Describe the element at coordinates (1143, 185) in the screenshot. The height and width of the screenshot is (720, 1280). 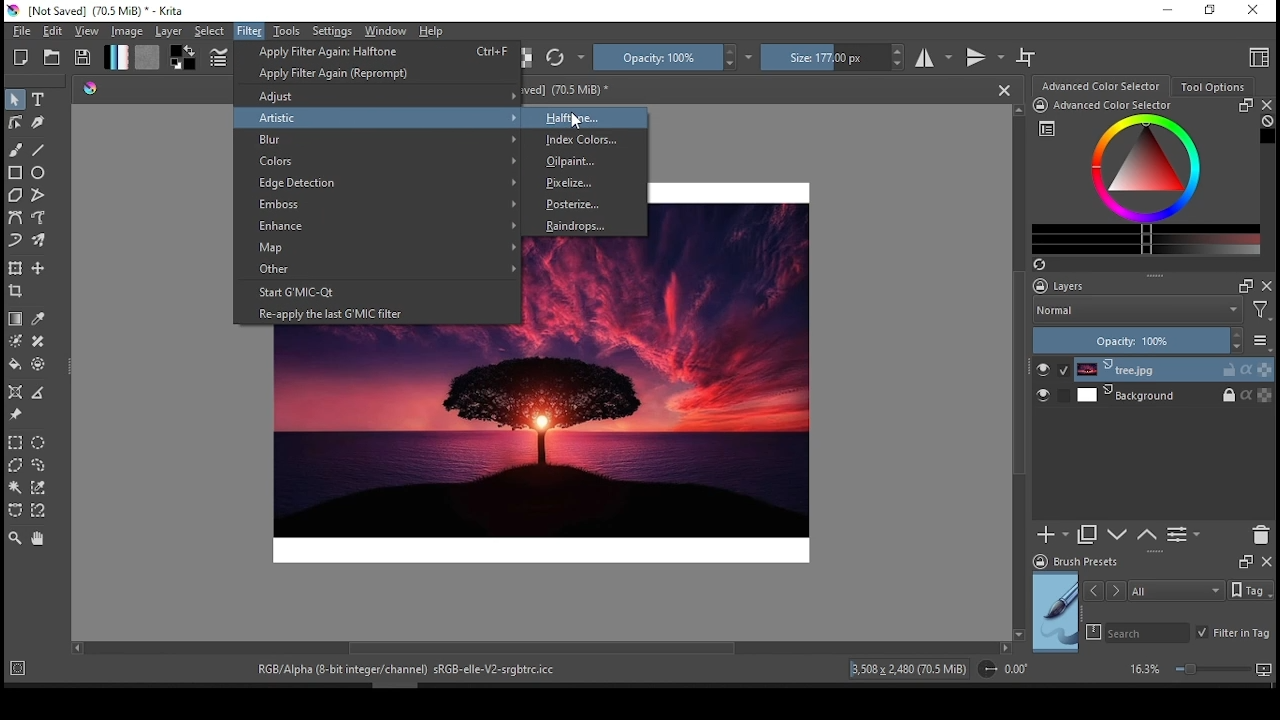
I see `advanced color selector` at that location.